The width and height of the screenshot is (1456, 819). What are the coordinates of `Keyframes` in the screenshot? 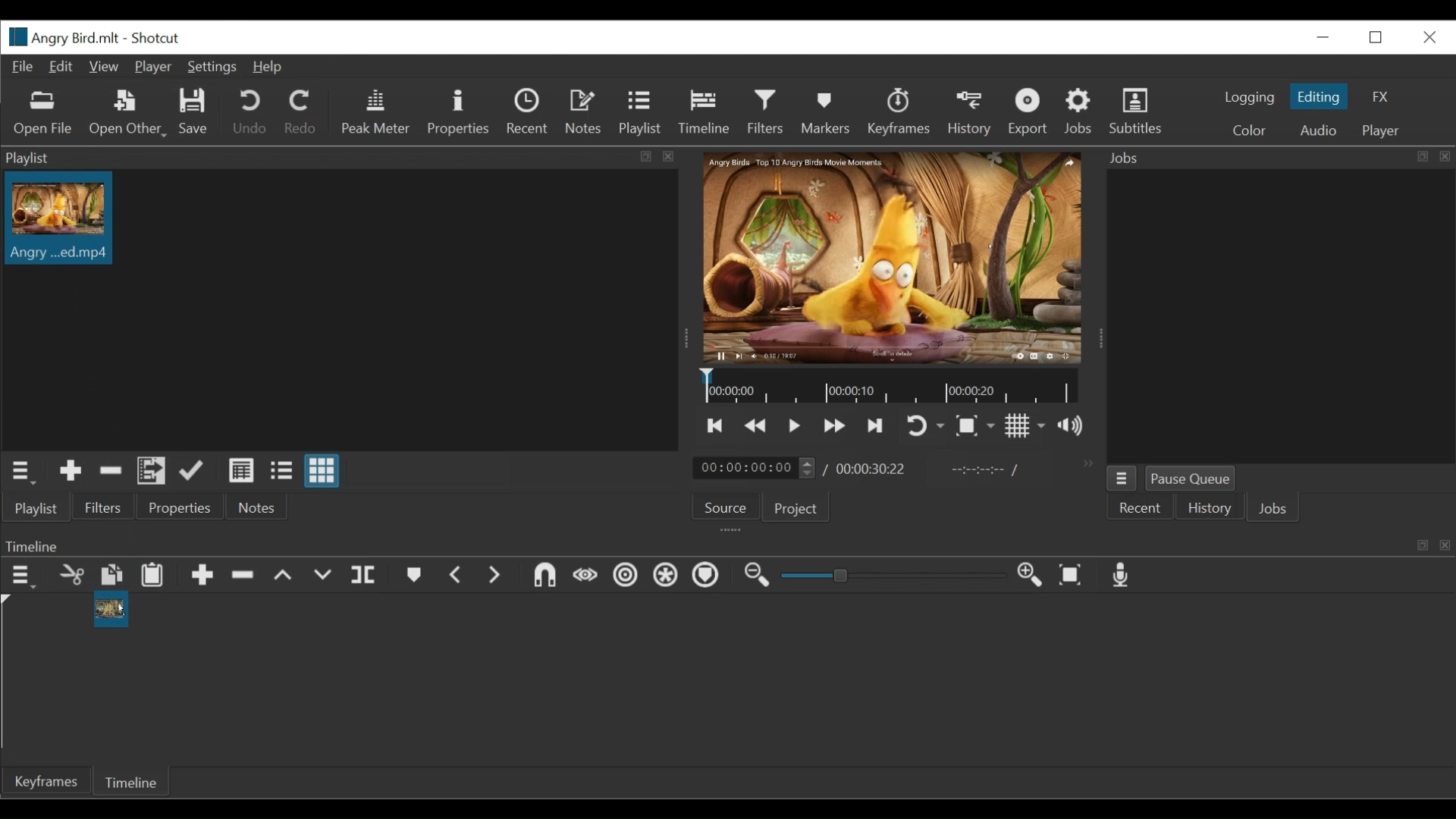 It's located at (900, 111).